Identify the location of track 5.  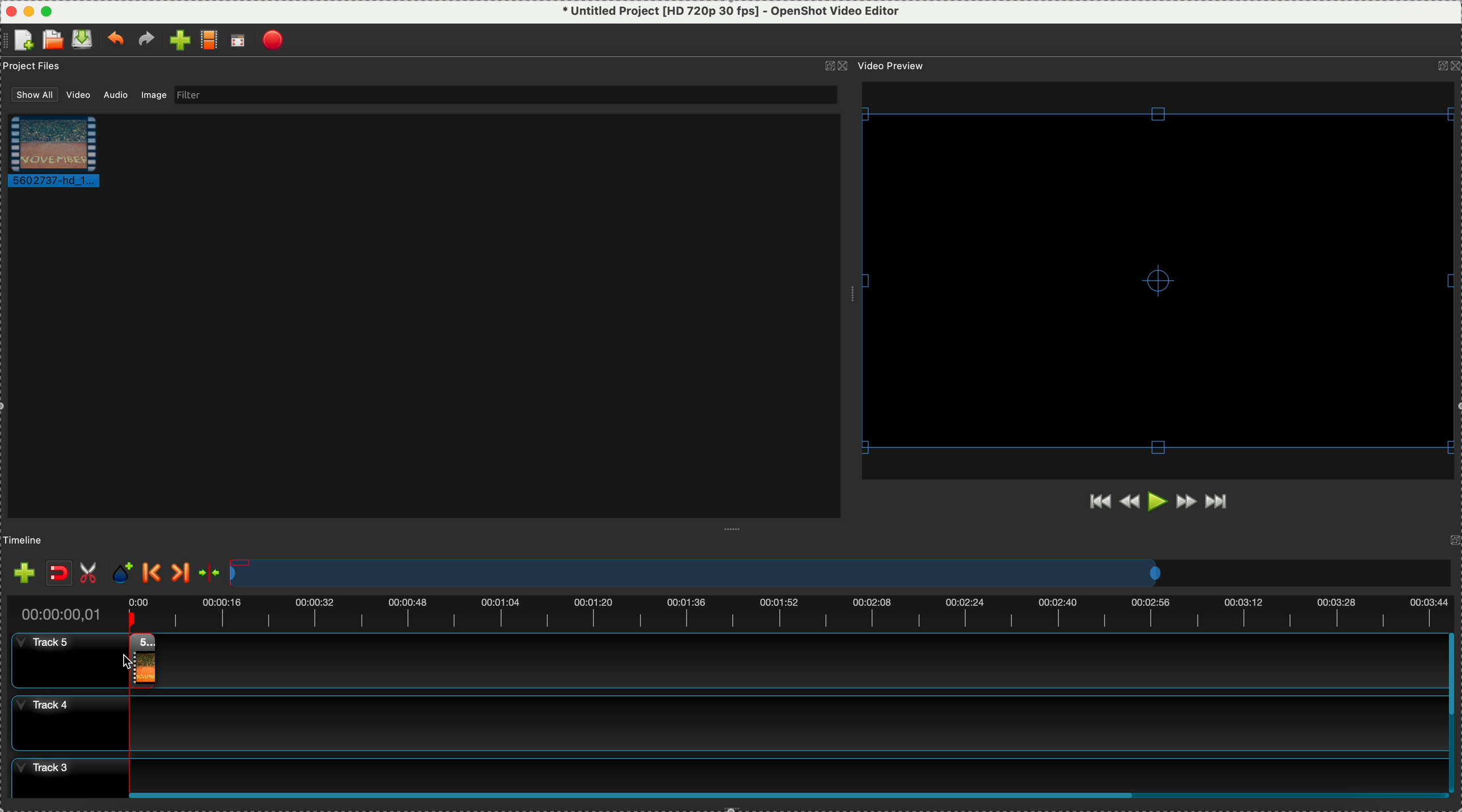
(725, 660).